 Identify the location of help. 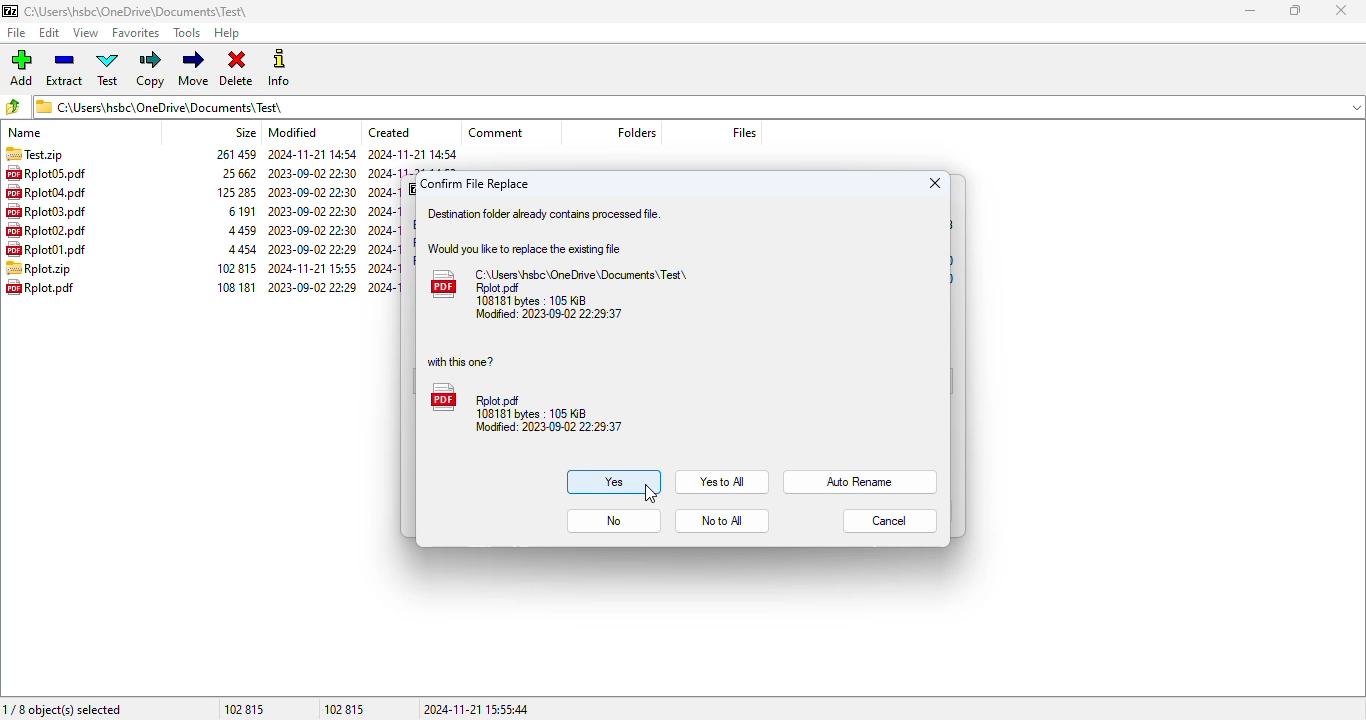
(227, 33).